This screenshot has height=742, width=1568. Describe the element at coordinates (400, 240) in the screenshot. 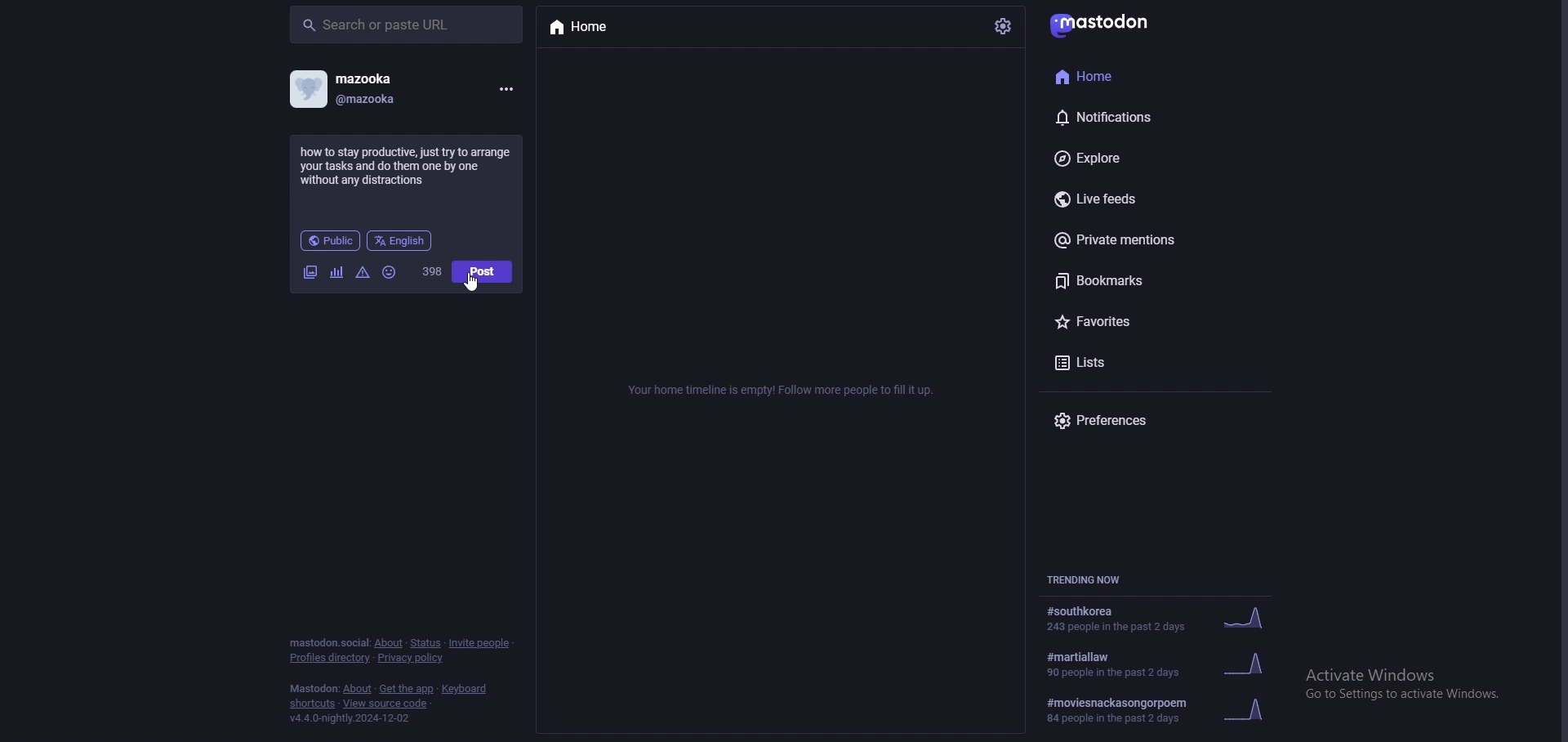

I see `language` at that location.